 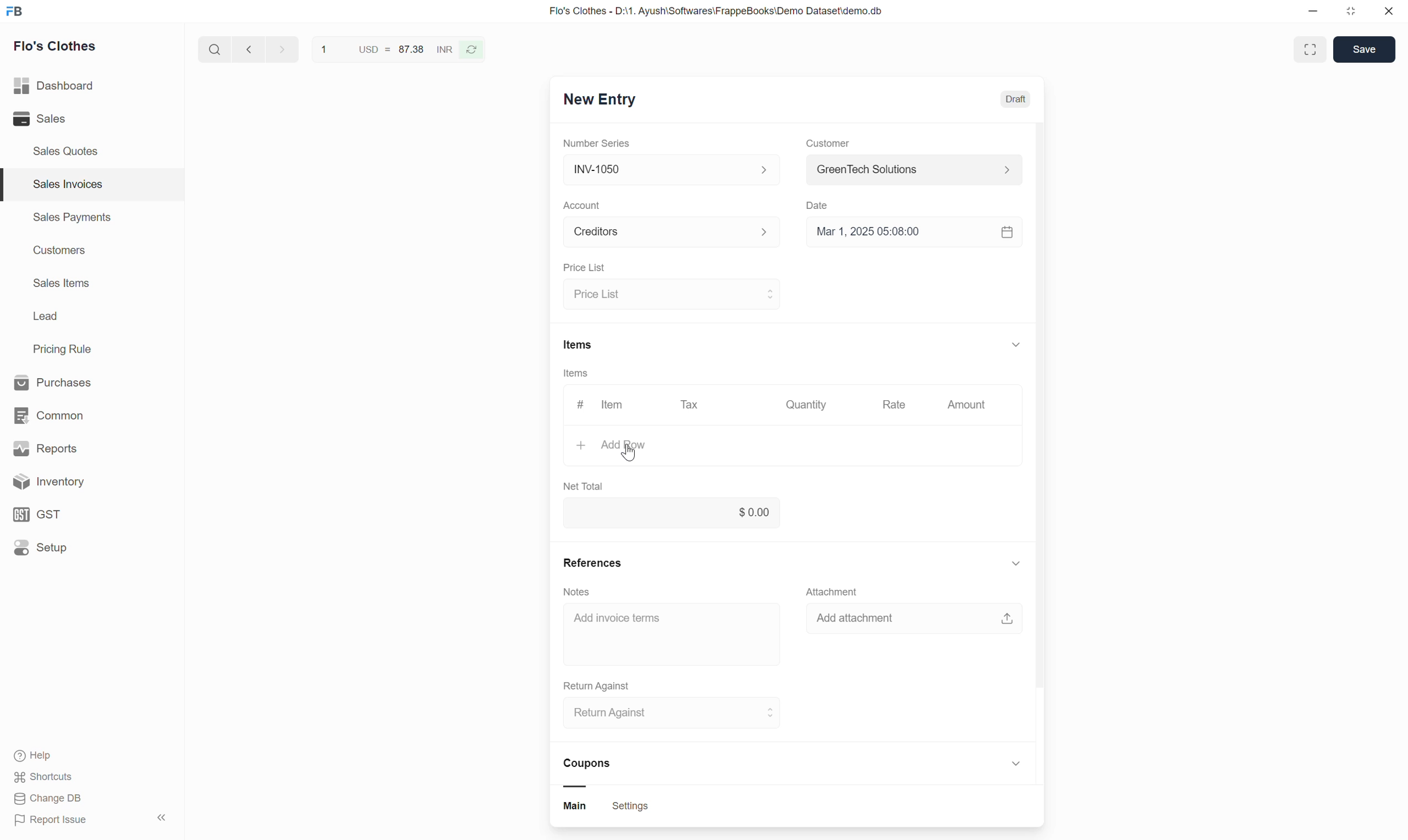 I want to click on Frappe Book logo, so click(x=18, y=12).